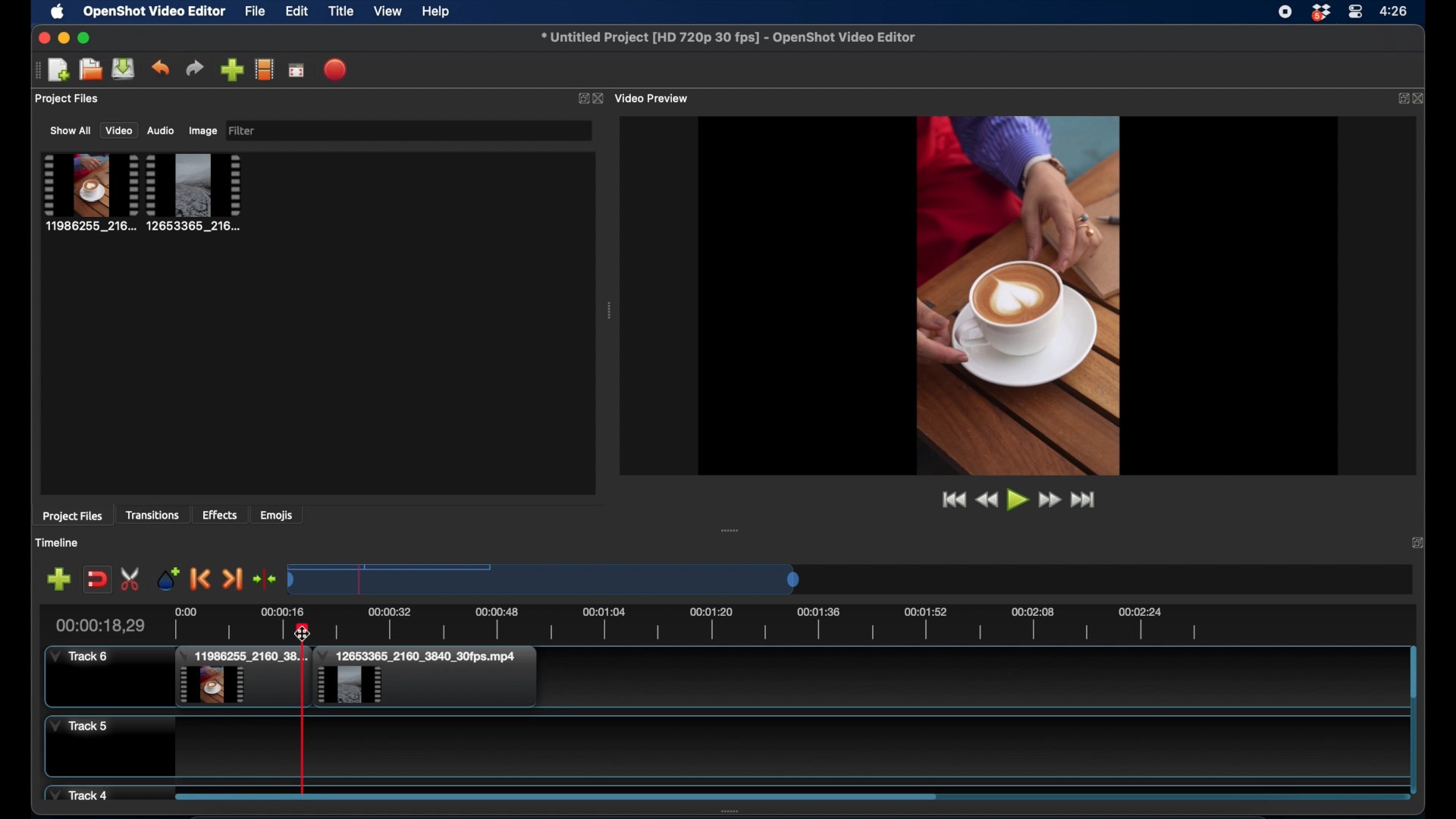 This screenshot has width=1456, height=819. What do you see at coordinates (168, 578) in the screenshot?
I see `add marker` at bounding box center [168, 578].